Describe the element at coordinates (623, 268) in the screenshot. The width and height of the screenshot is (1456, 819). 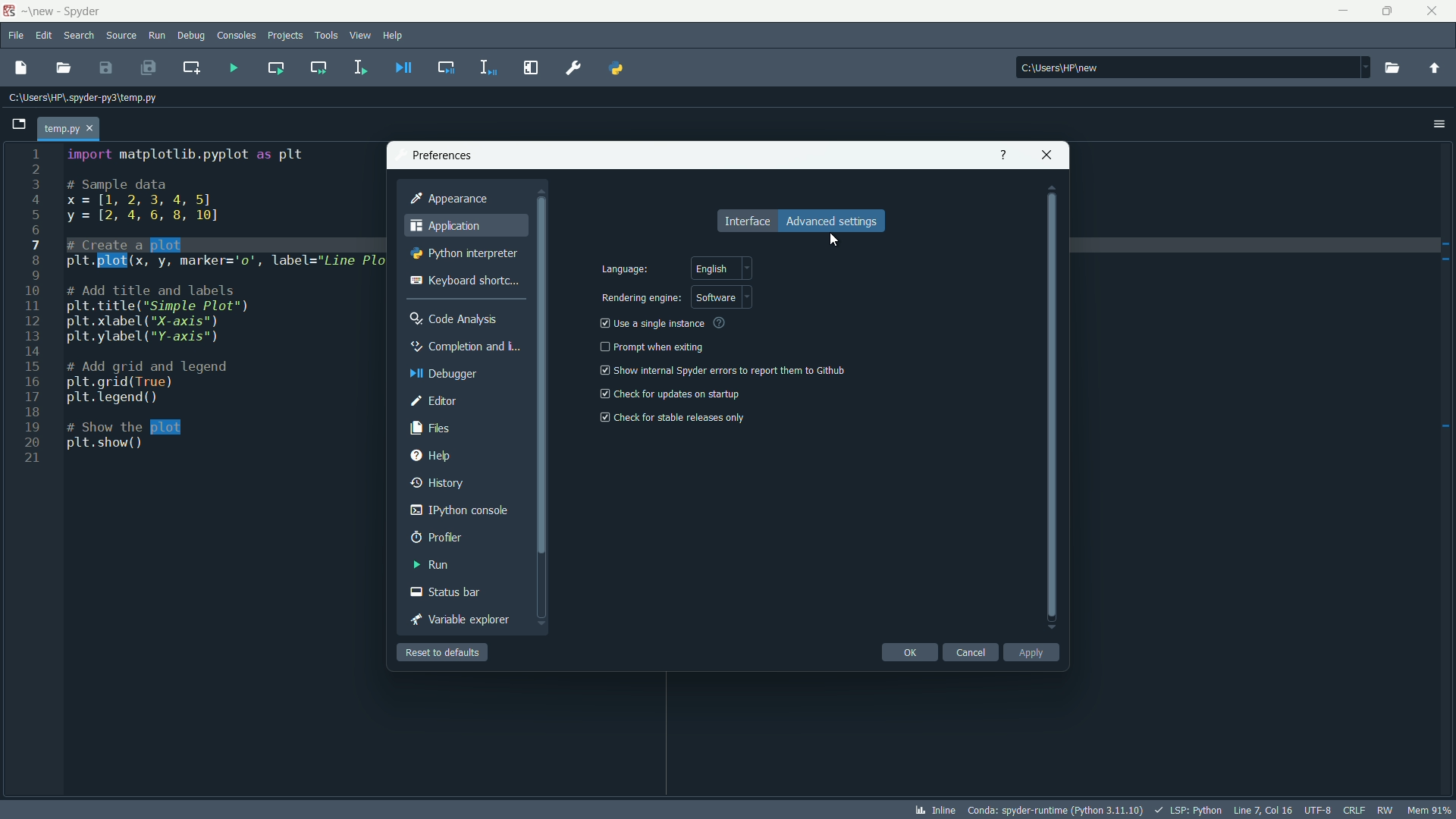
I see `language` at that location.